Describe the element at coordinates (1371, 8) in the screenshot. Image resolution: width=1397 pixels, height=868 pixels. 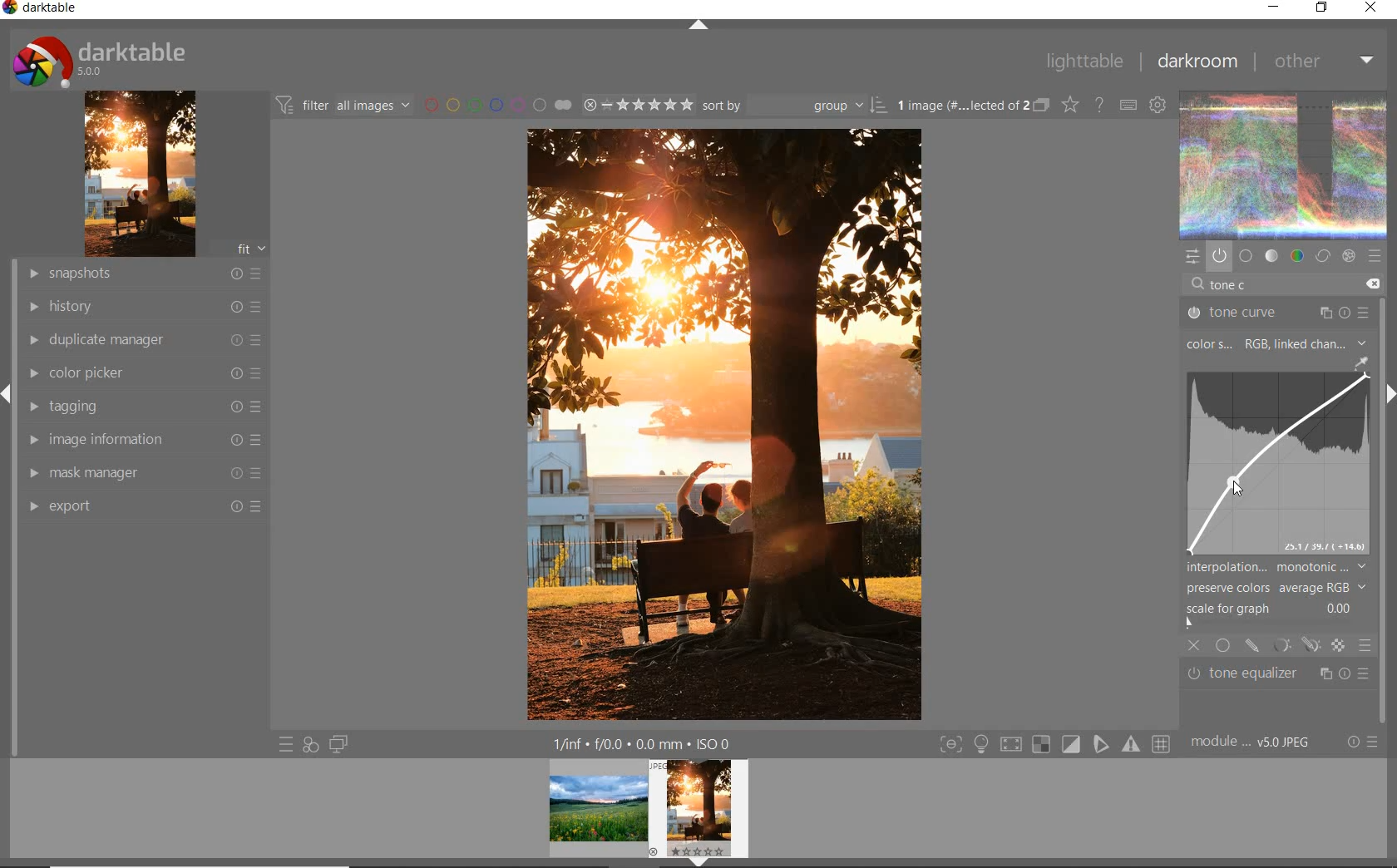
I see `close` at that location.